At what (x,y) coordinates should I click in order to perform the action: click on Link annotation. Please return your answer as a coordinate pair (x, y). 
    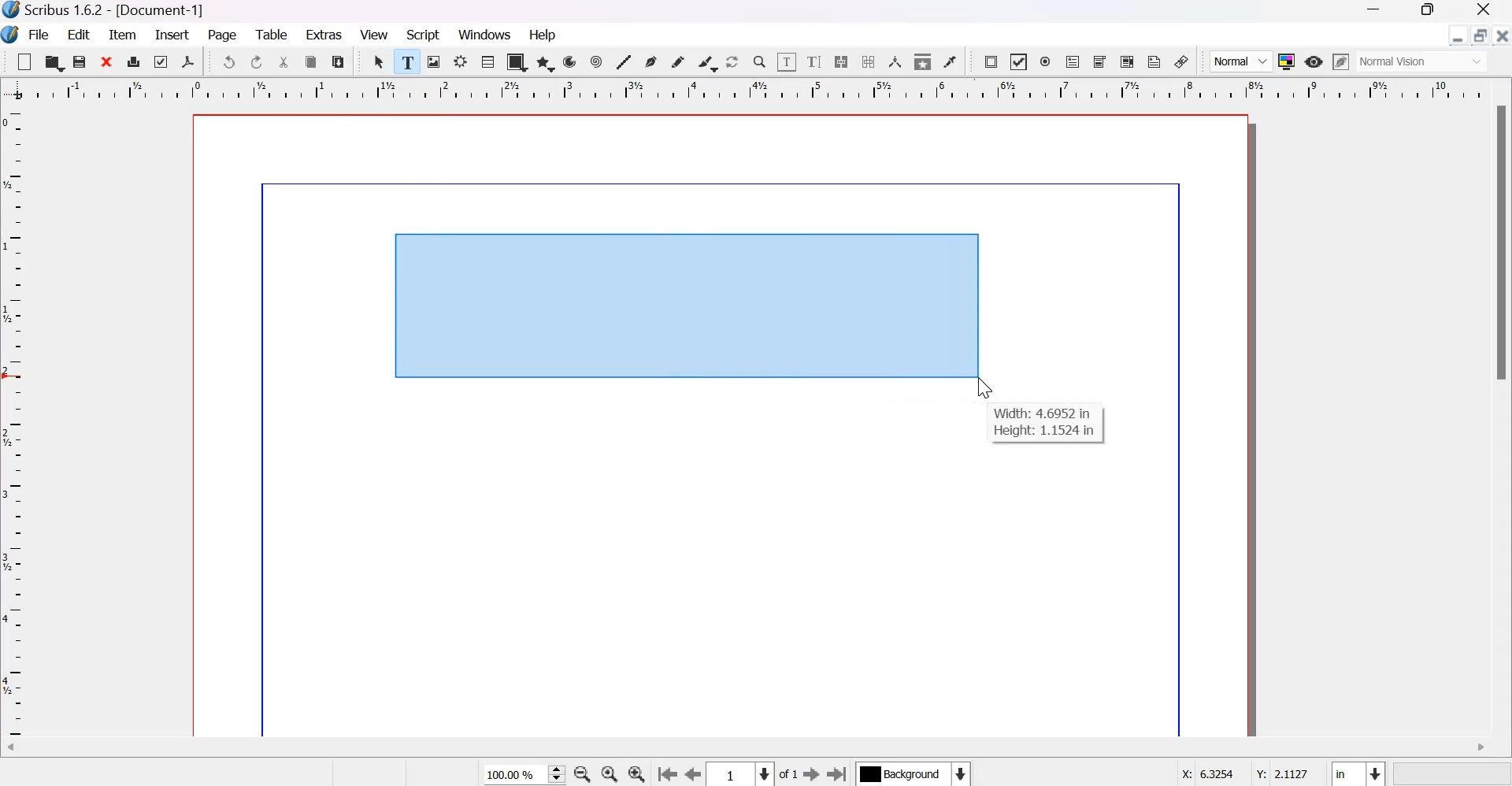
    Looking at the image, I should click on (1182, 61).